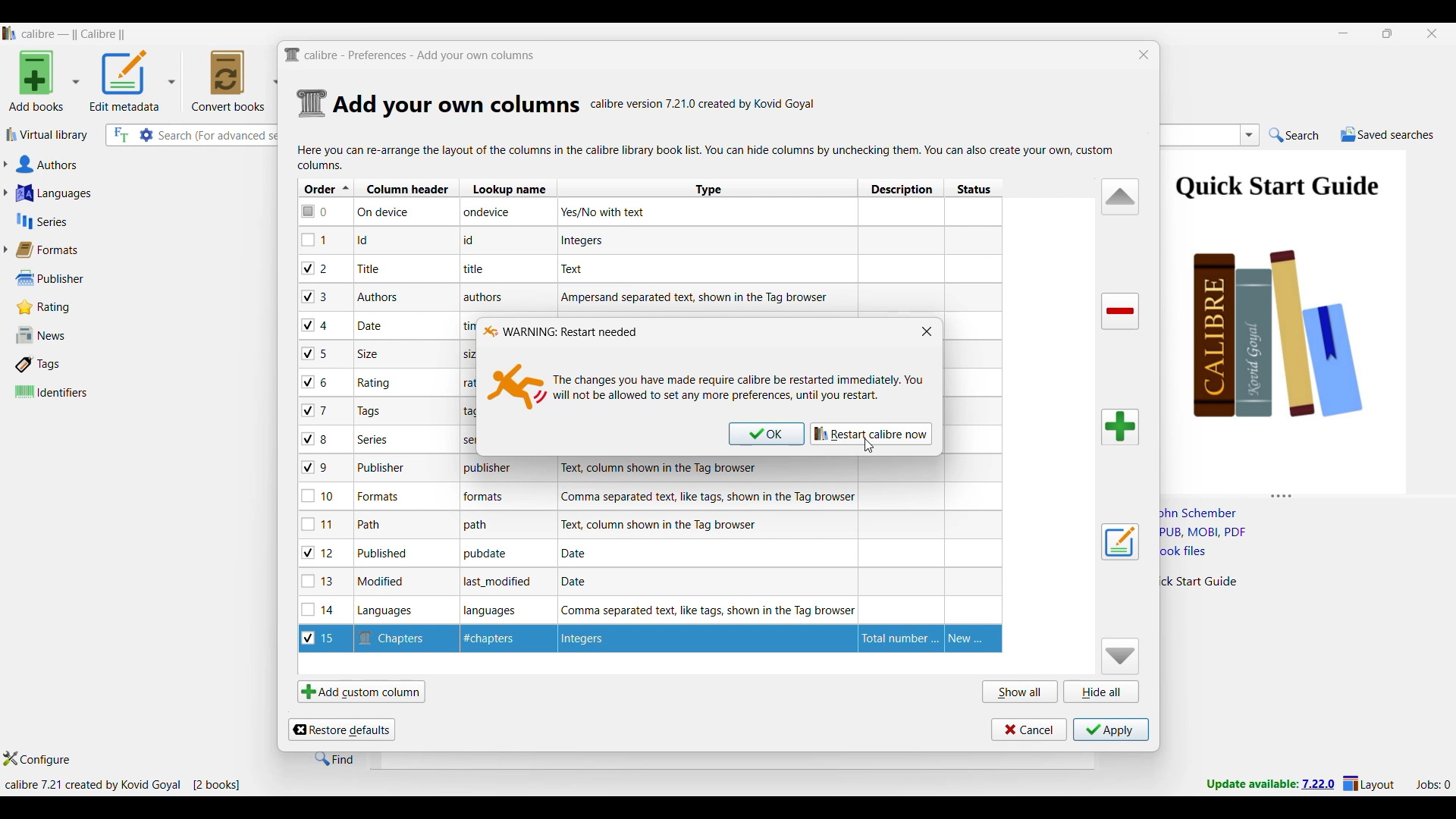  Describe the element at coordinates (1303, 316) in the screenshot. I see `Book preview` at that location.